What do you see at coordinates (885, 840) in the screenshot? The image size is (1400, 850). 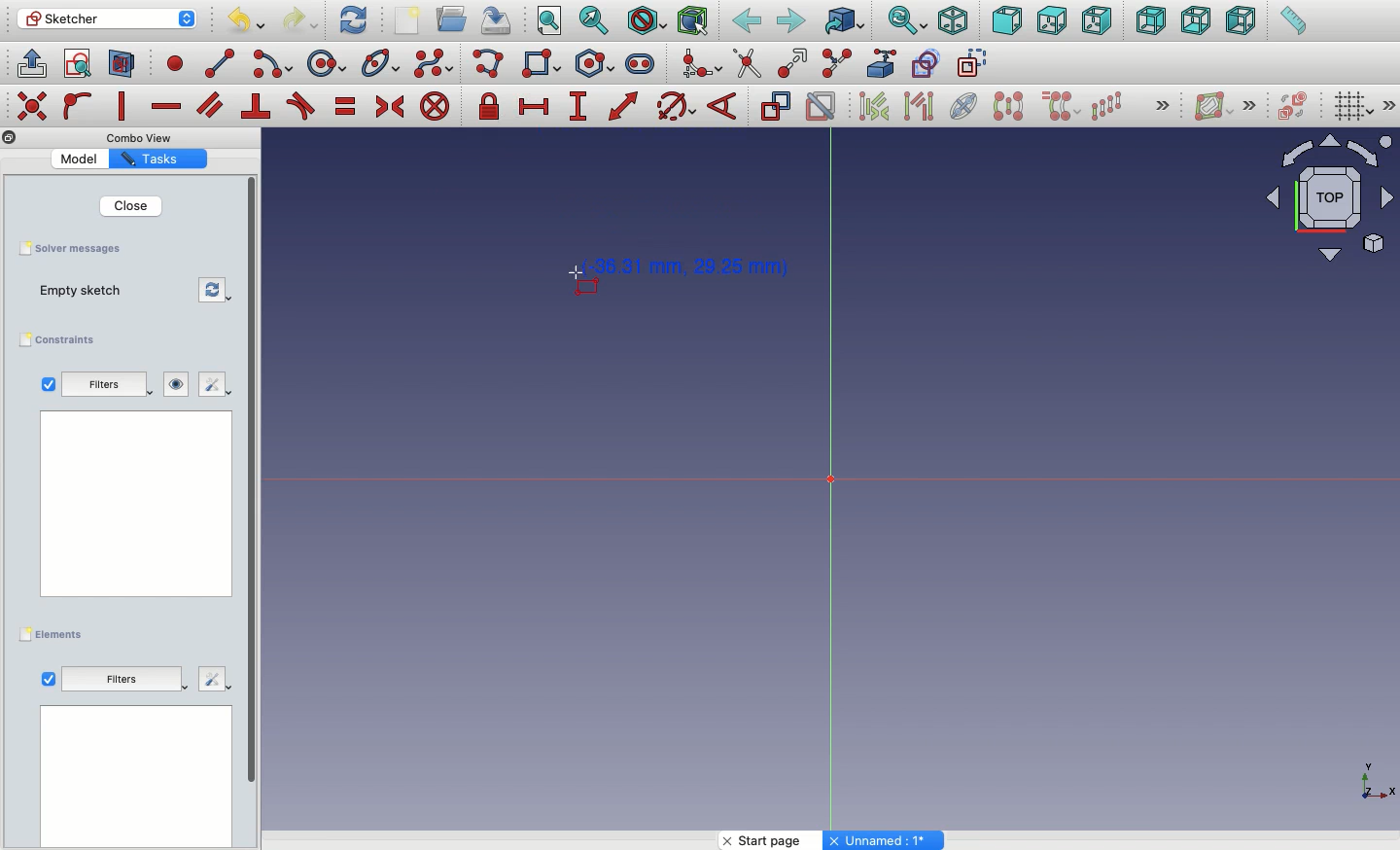 I see `Unnamed: 1` at bounding box center [885, 840].